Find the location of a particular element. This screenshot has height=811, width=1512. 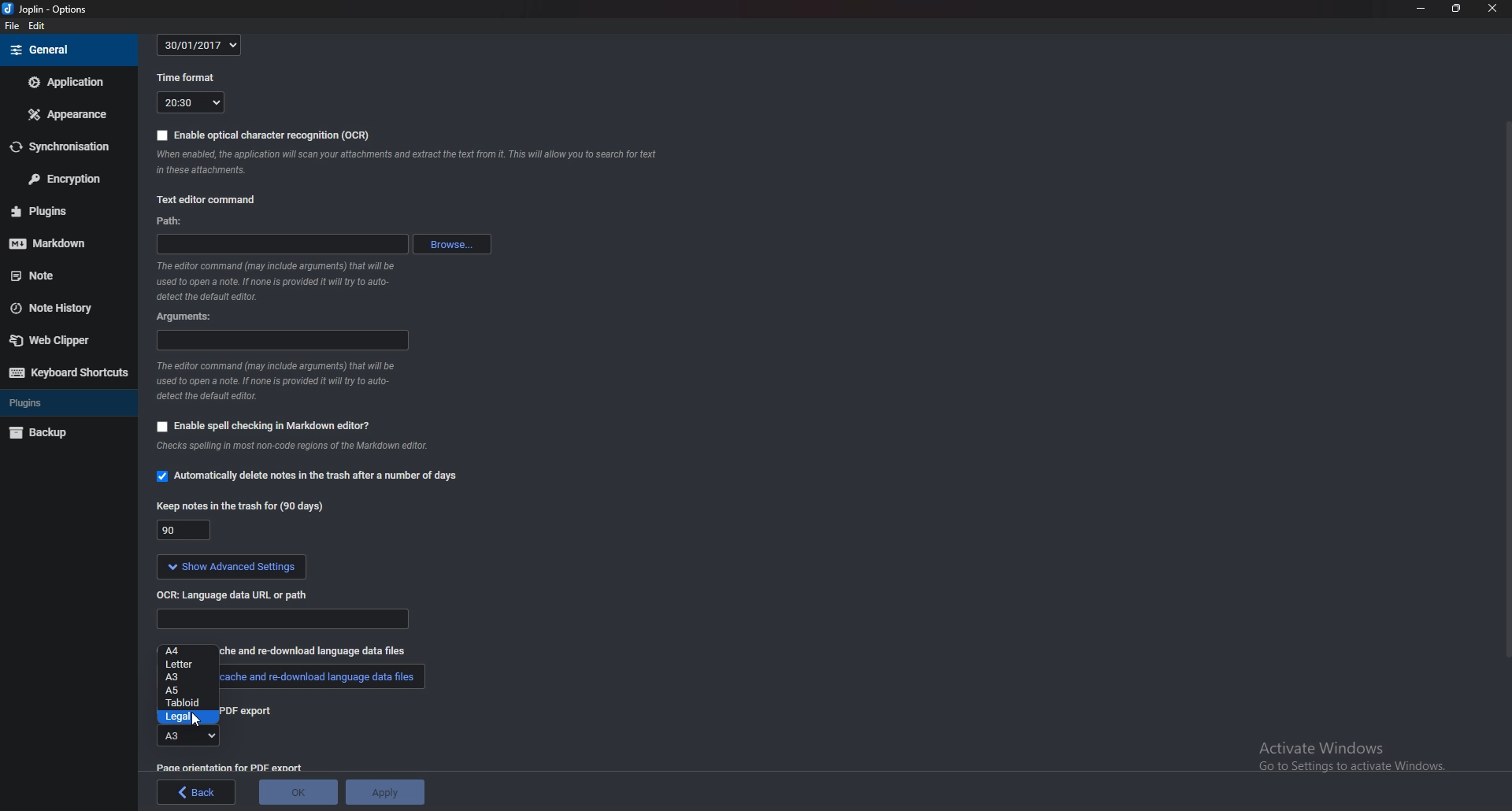

Encryption is located at coordinates (66, 178).